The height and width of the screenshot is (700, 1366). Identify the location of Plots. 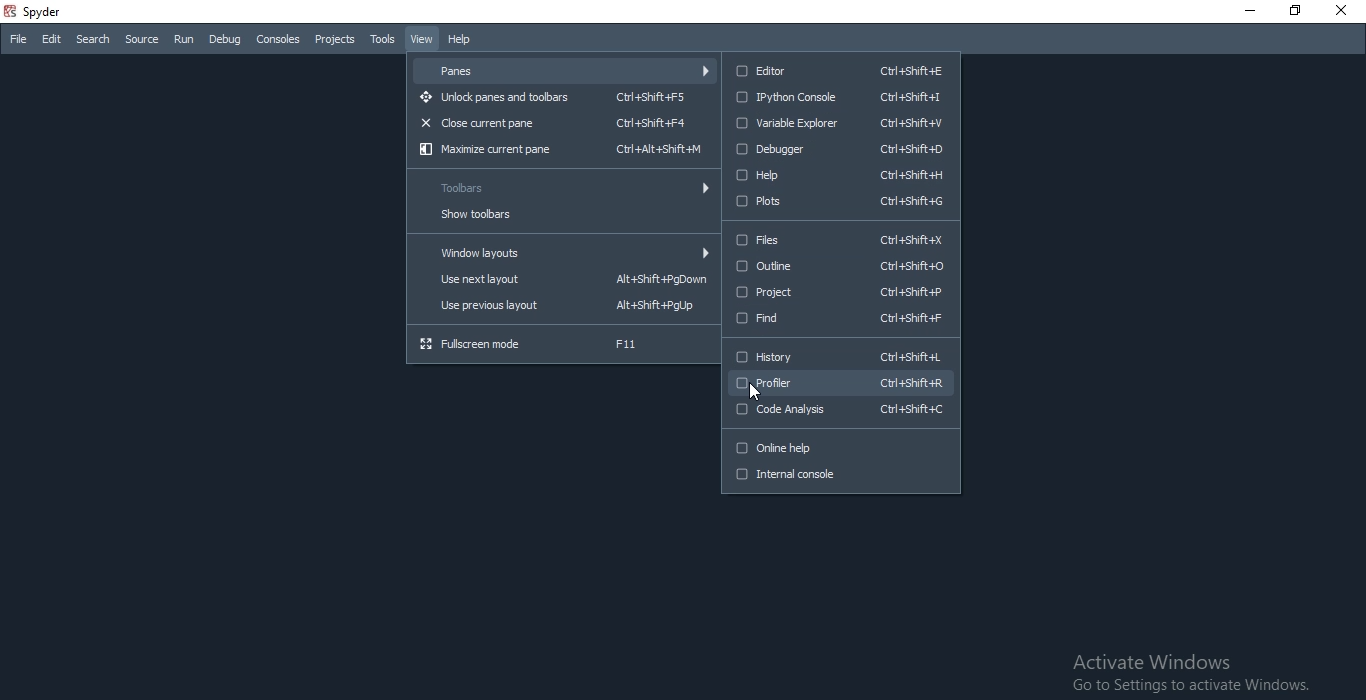
(842, 202).